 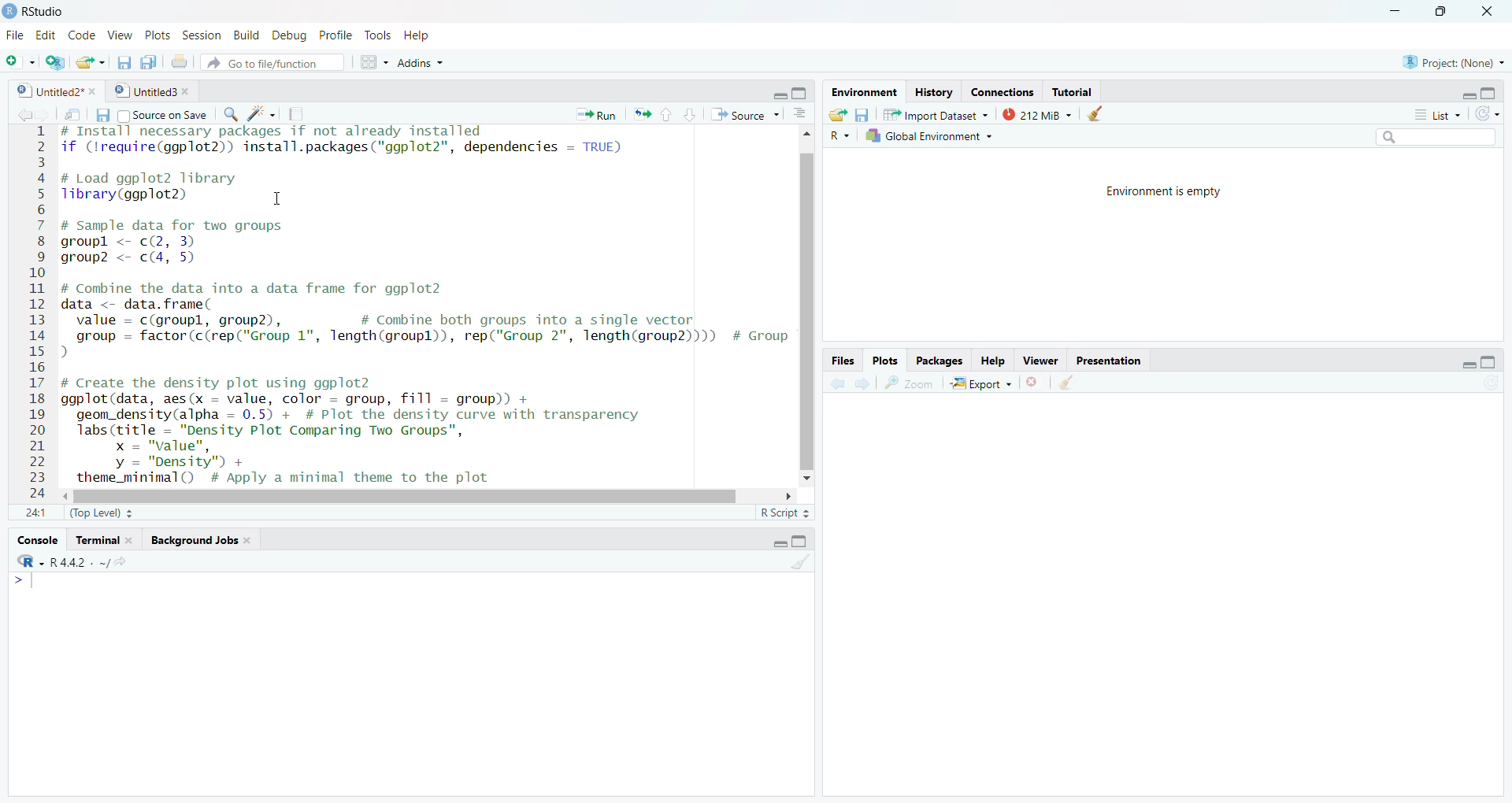 I want to click on load workspace, so click(x=838, y=115).